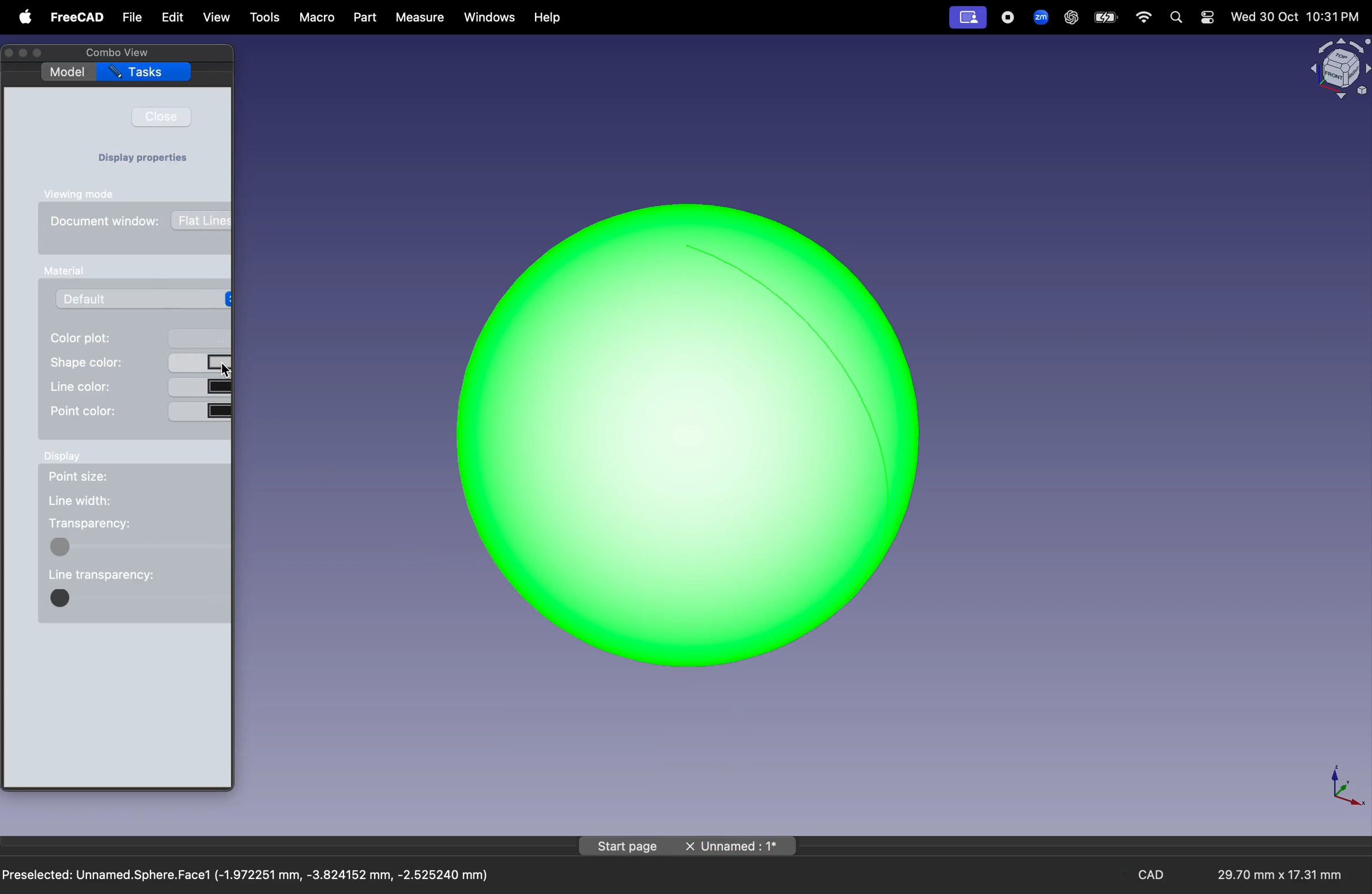  Describe the element at coordinates (138, 411) in the screenshot. I see `point color` at that location.